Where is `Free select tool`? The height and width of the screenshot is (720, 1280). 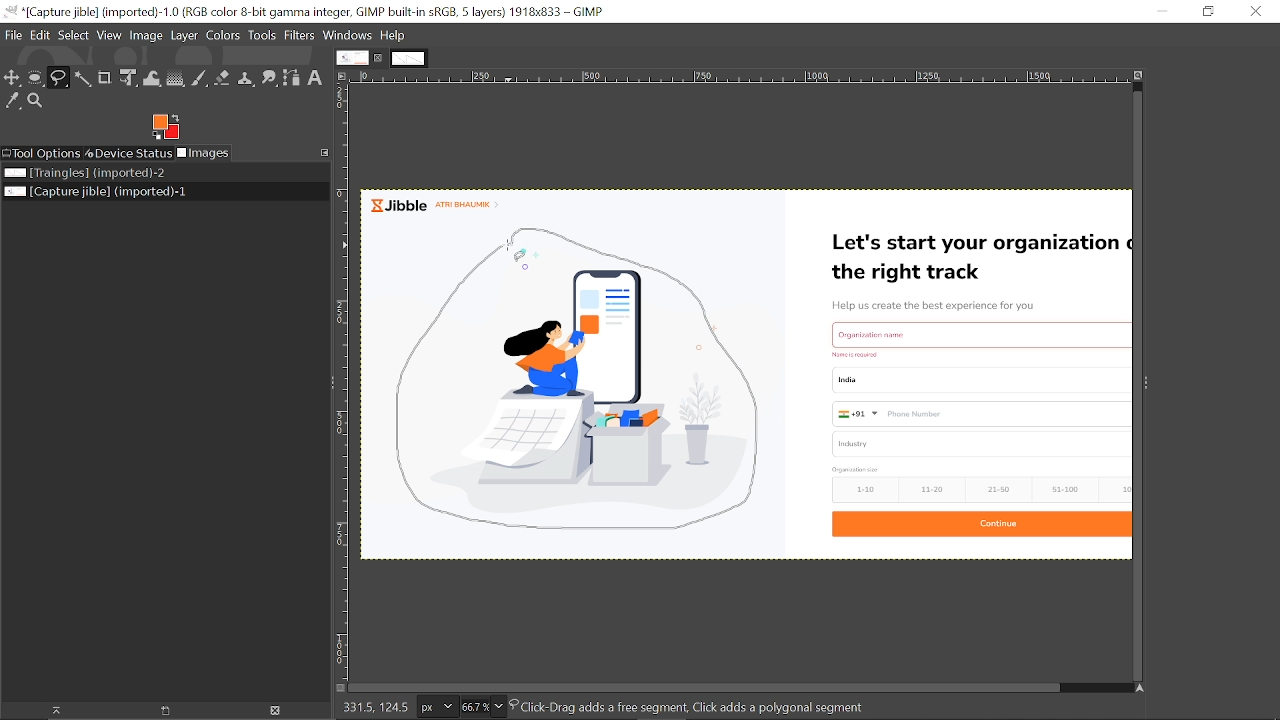 Free select tool is located at coordinates (60, 79).